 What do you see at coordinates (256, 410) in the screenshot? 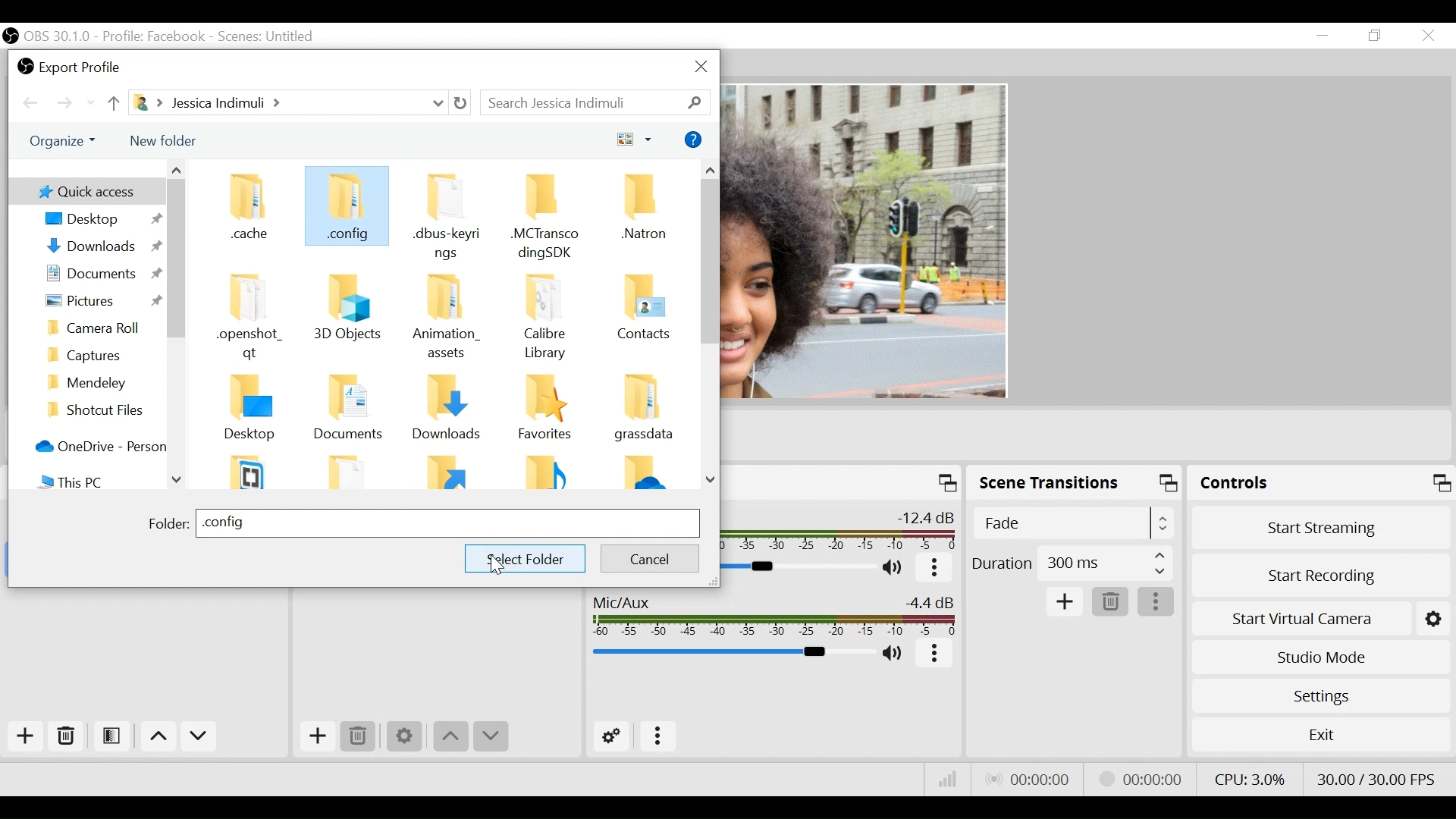
I see `Folder` at bounding box center [256, 410].